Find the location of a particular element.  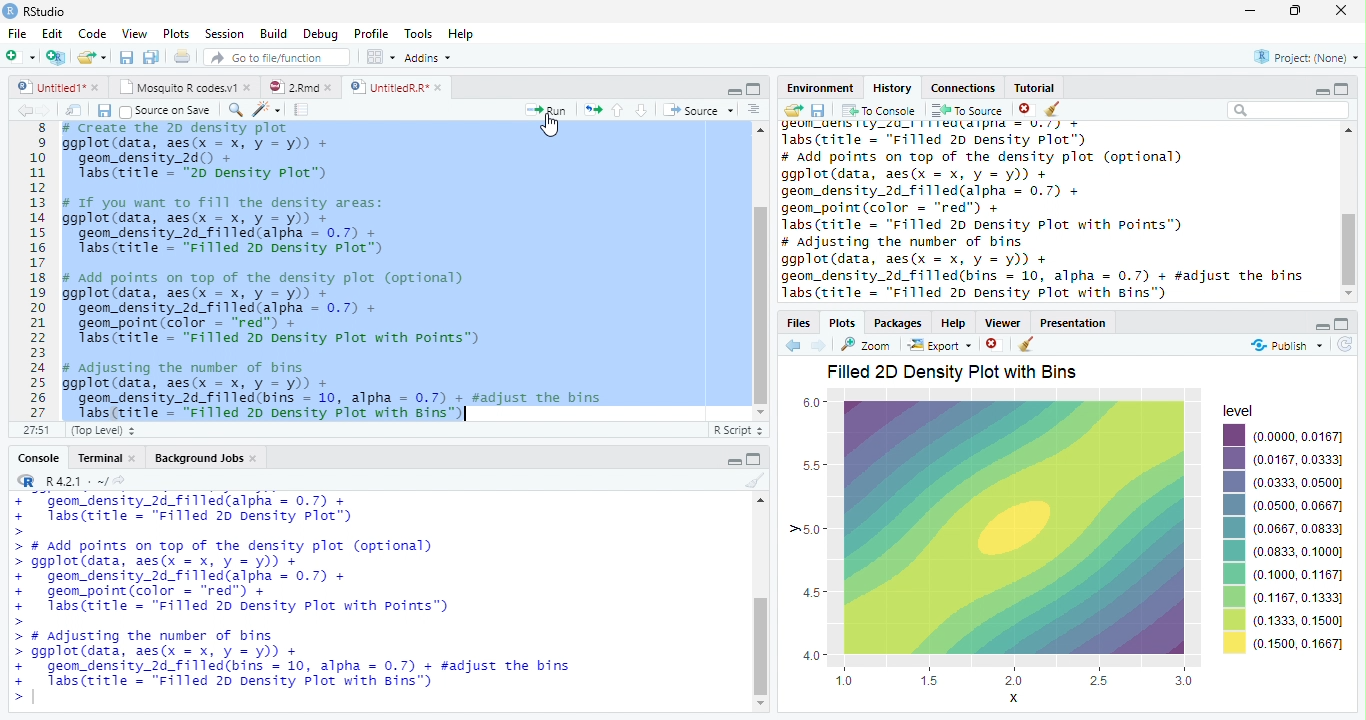

Project: (None) is located at coordinates (1305, 57).